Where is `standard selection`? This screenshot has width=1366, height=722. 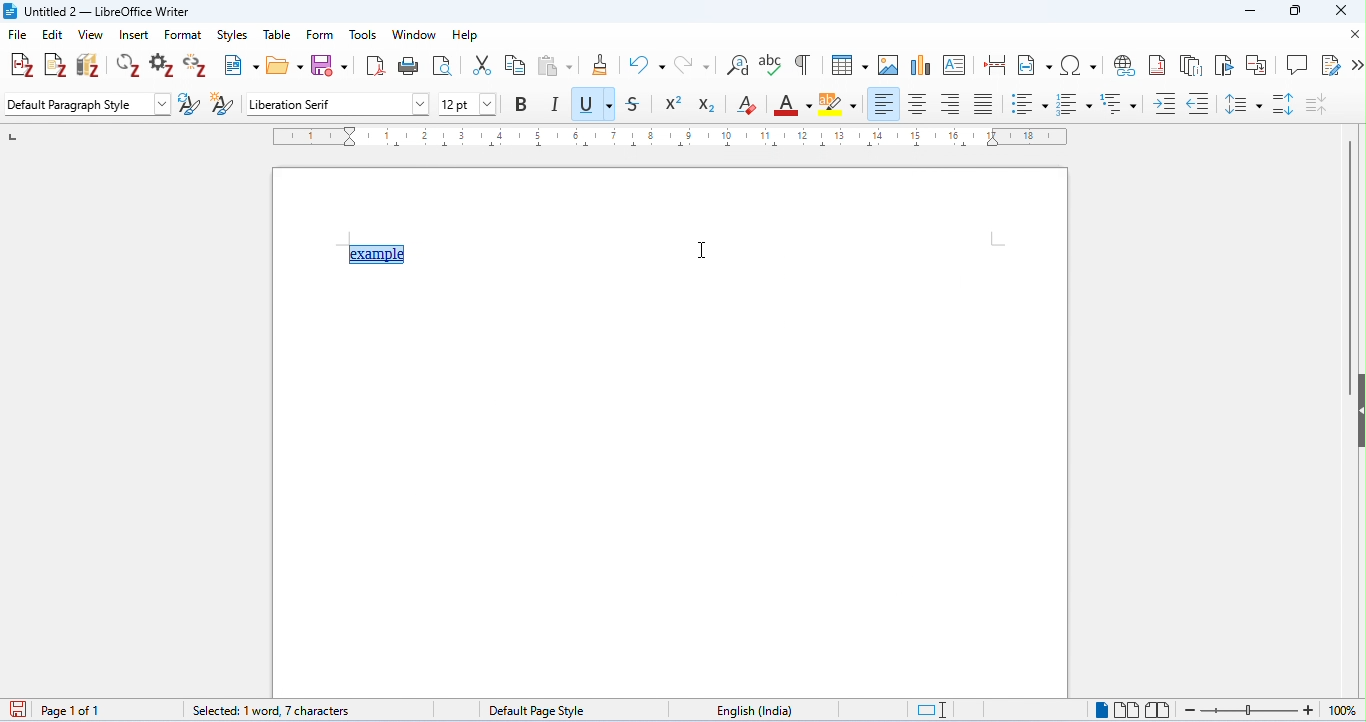 standard selection is located at coordinates (920, 711).